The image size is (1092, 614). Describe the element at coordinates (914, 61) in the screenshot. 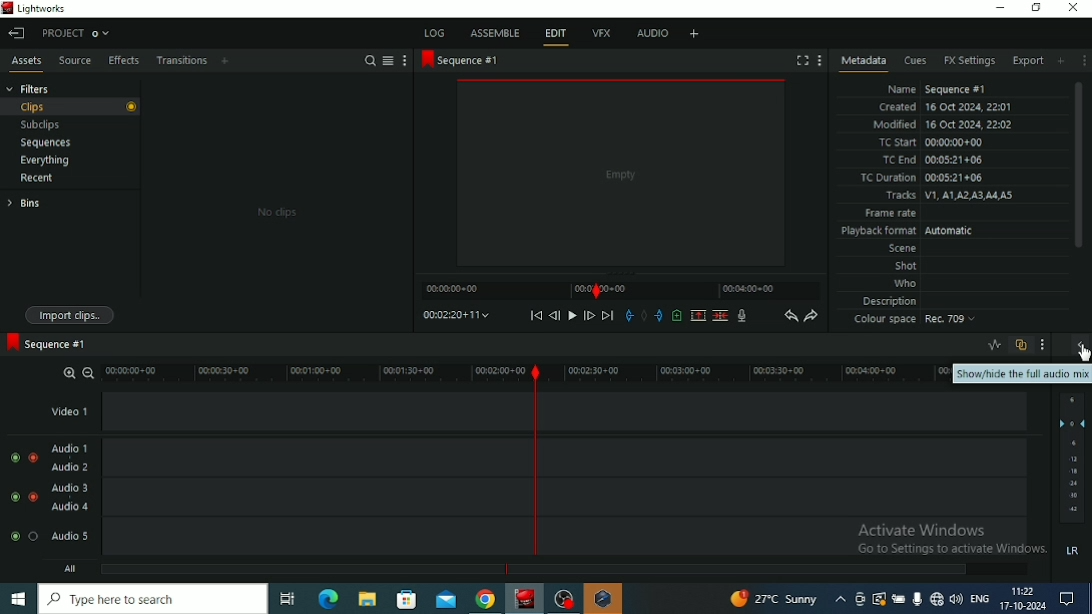

I see `Cues` at that location.